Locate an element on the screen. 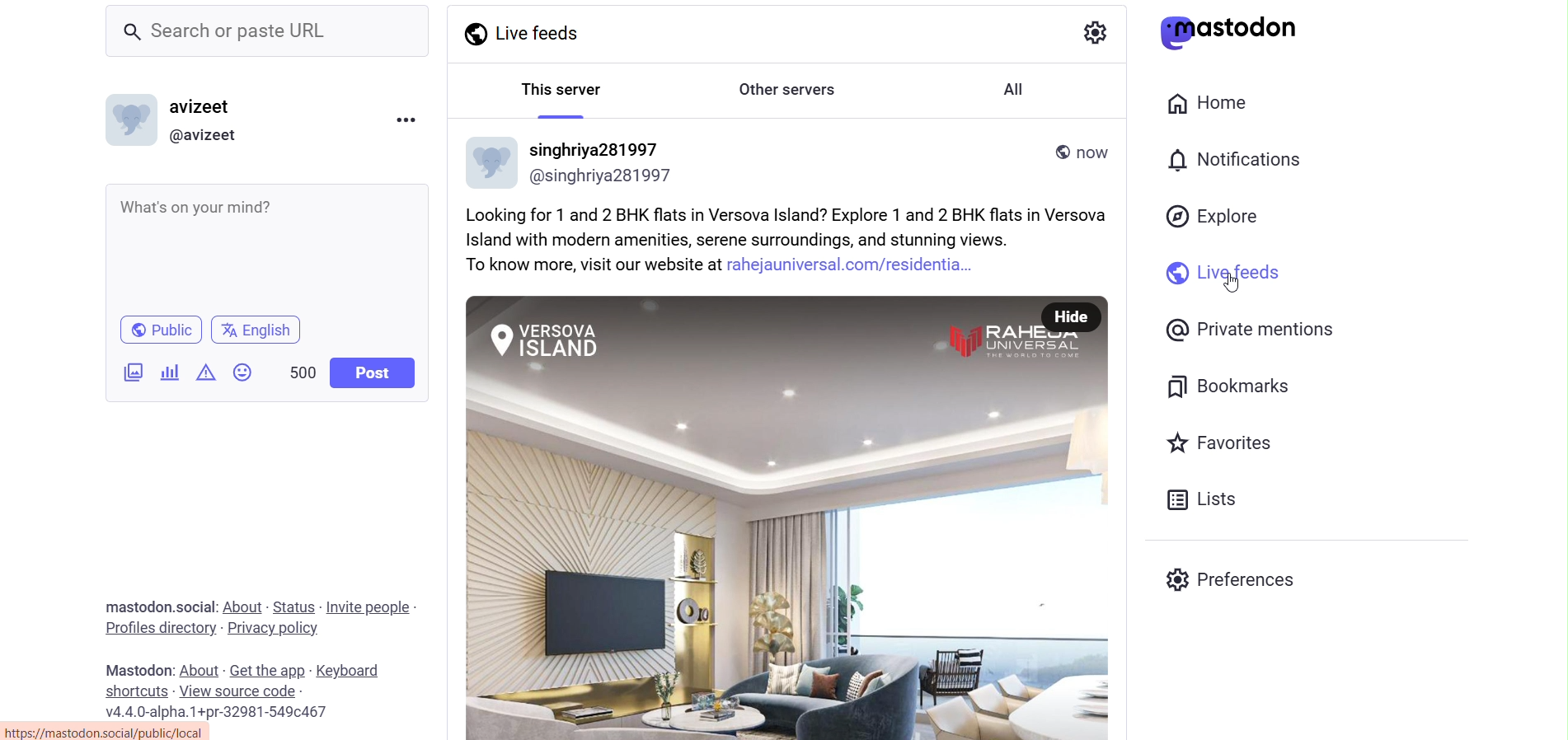 The image size is (1568, 740). Post Text is located at coordinates (796, 240).